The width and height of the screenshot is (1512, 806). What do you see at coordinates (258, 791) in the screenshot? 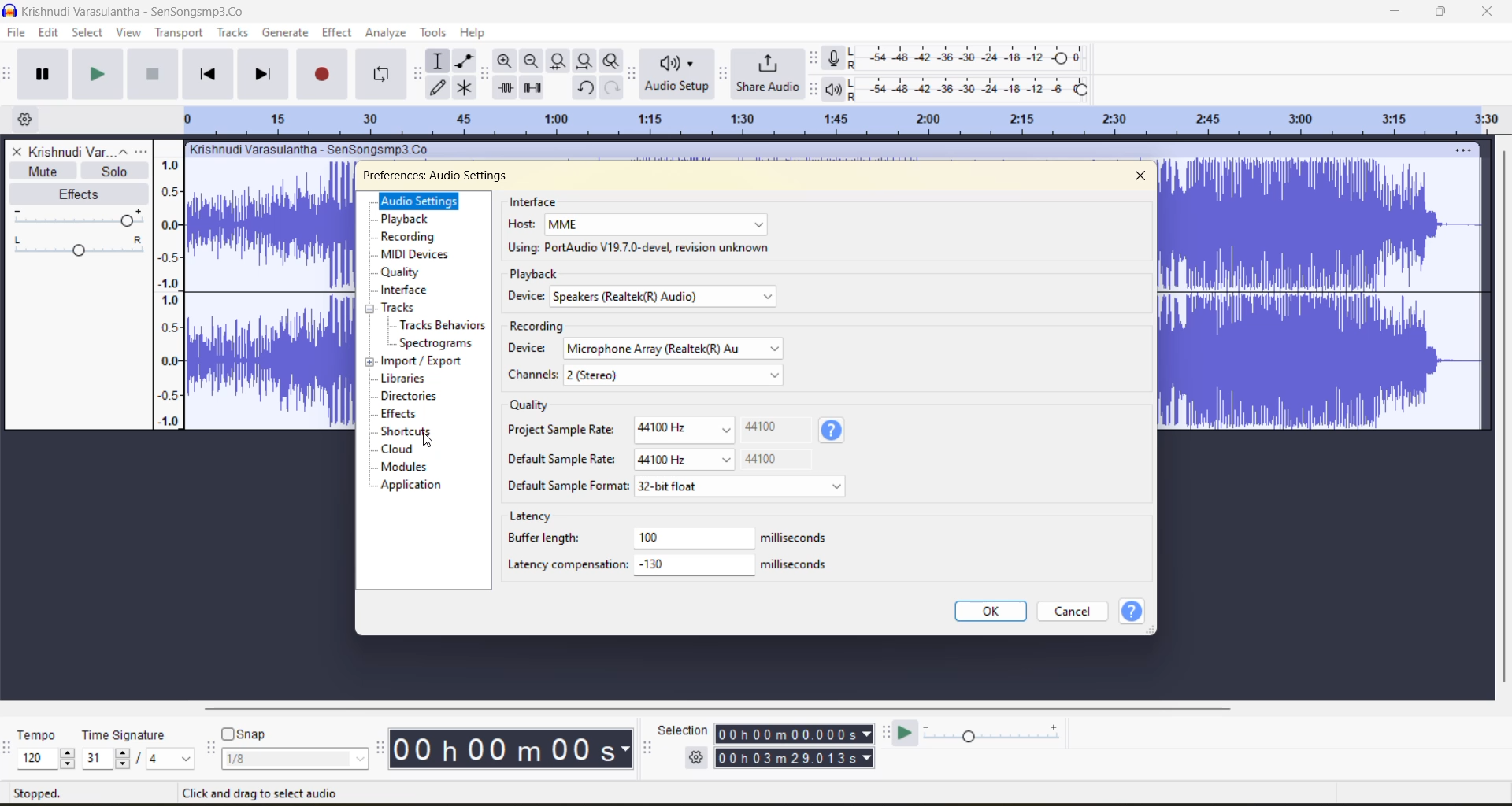
I see `Click and drag to select audio` at bounding box center [258, 791].